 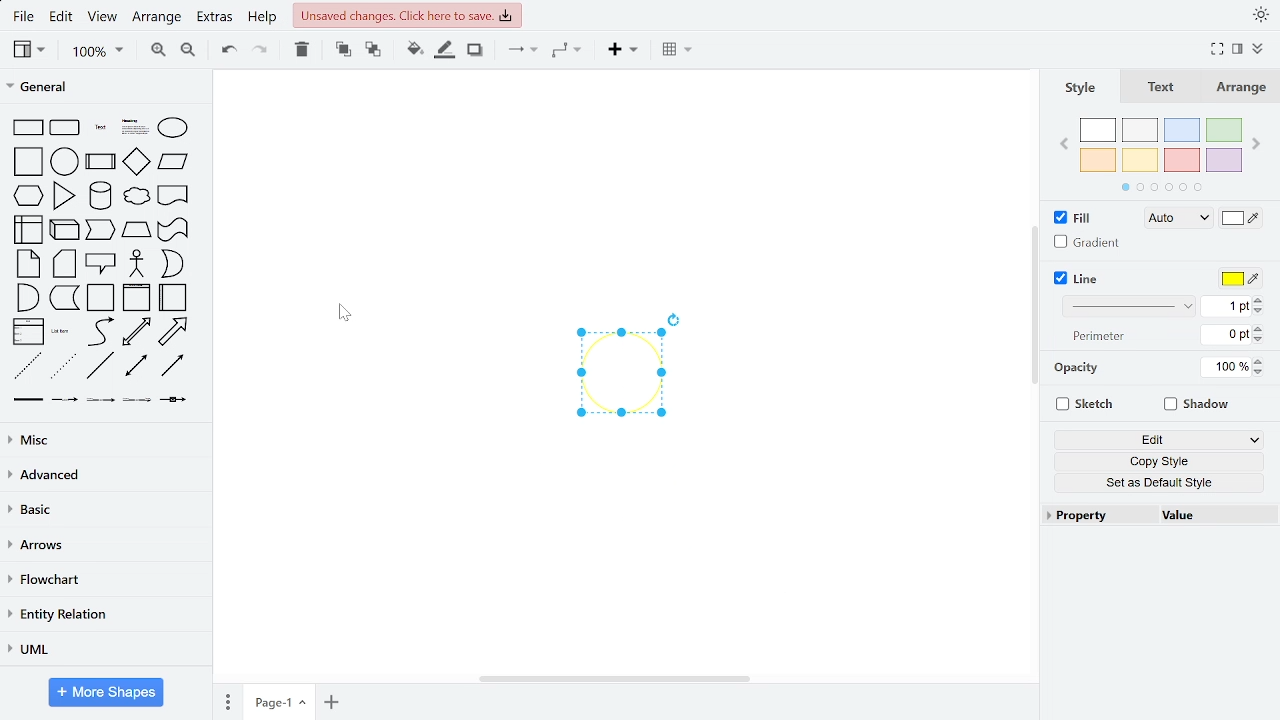 I want to click on list item, so click(x=63, y=332).